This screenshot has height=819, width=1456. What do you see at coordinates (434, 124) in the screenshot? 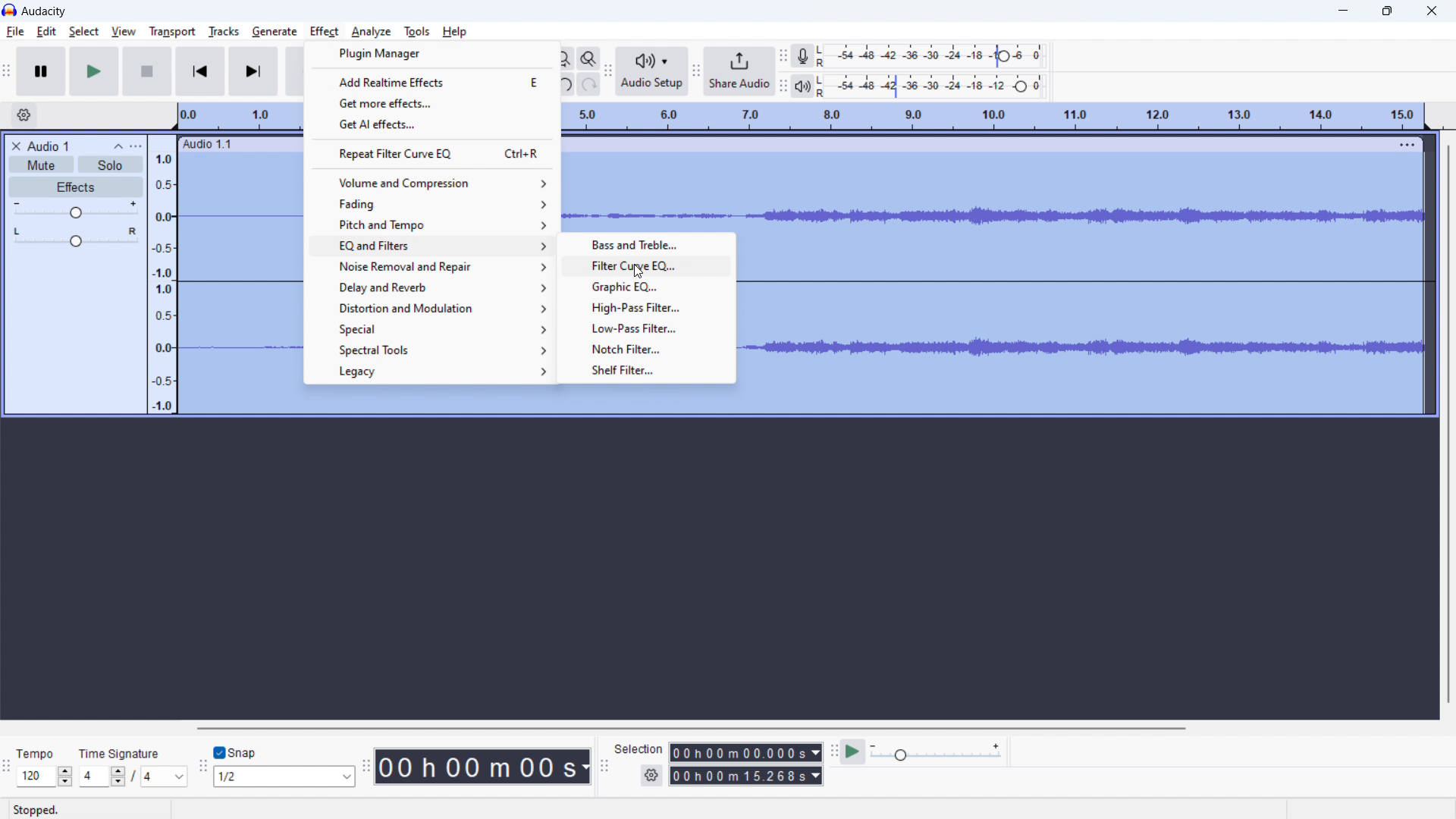
I see `get AI effects` at bounding box center [434, 124].